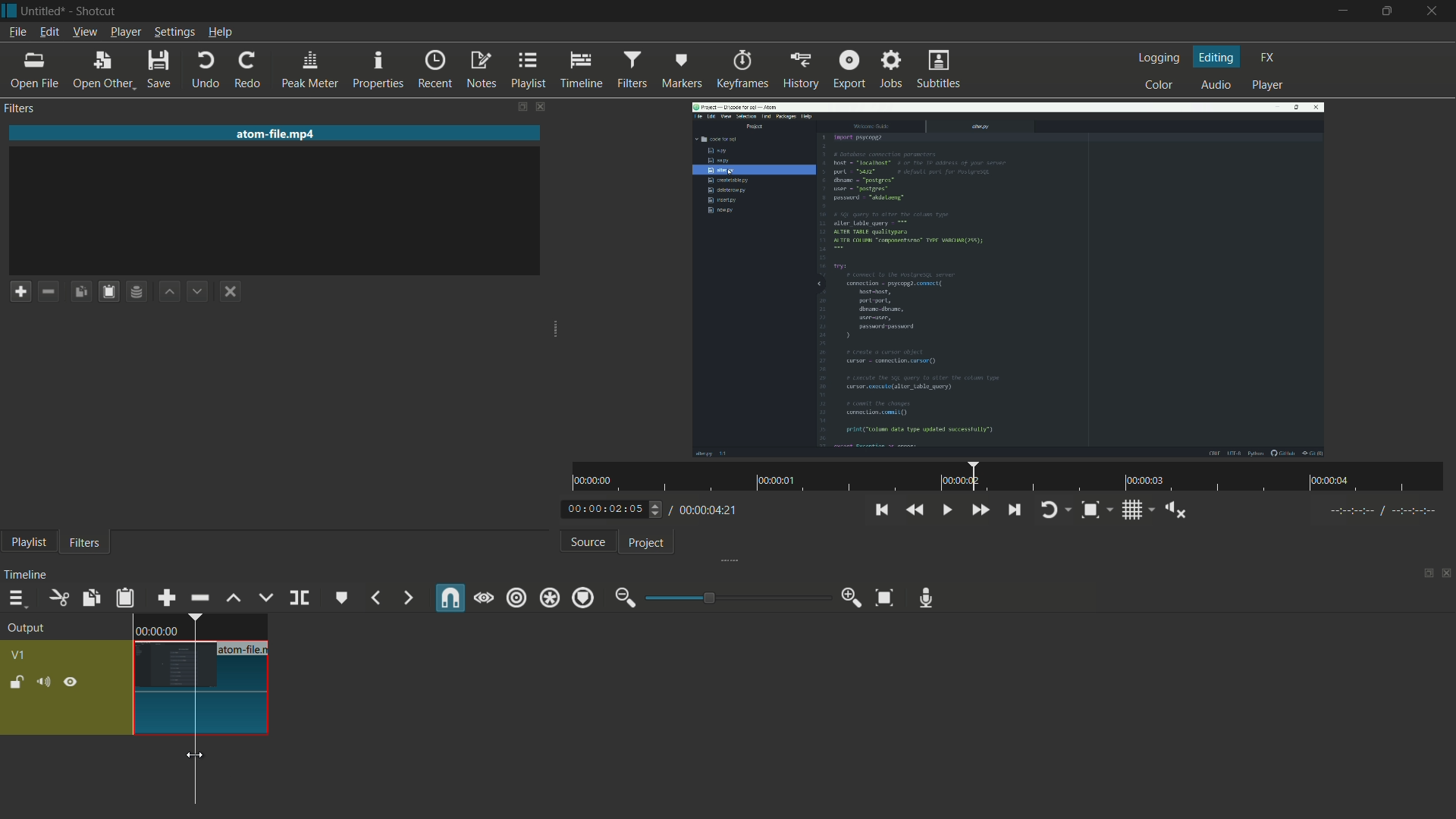  Describe the element at coordinates (483, 598) in the screenshot. I see `scrub while dragging` at that location.